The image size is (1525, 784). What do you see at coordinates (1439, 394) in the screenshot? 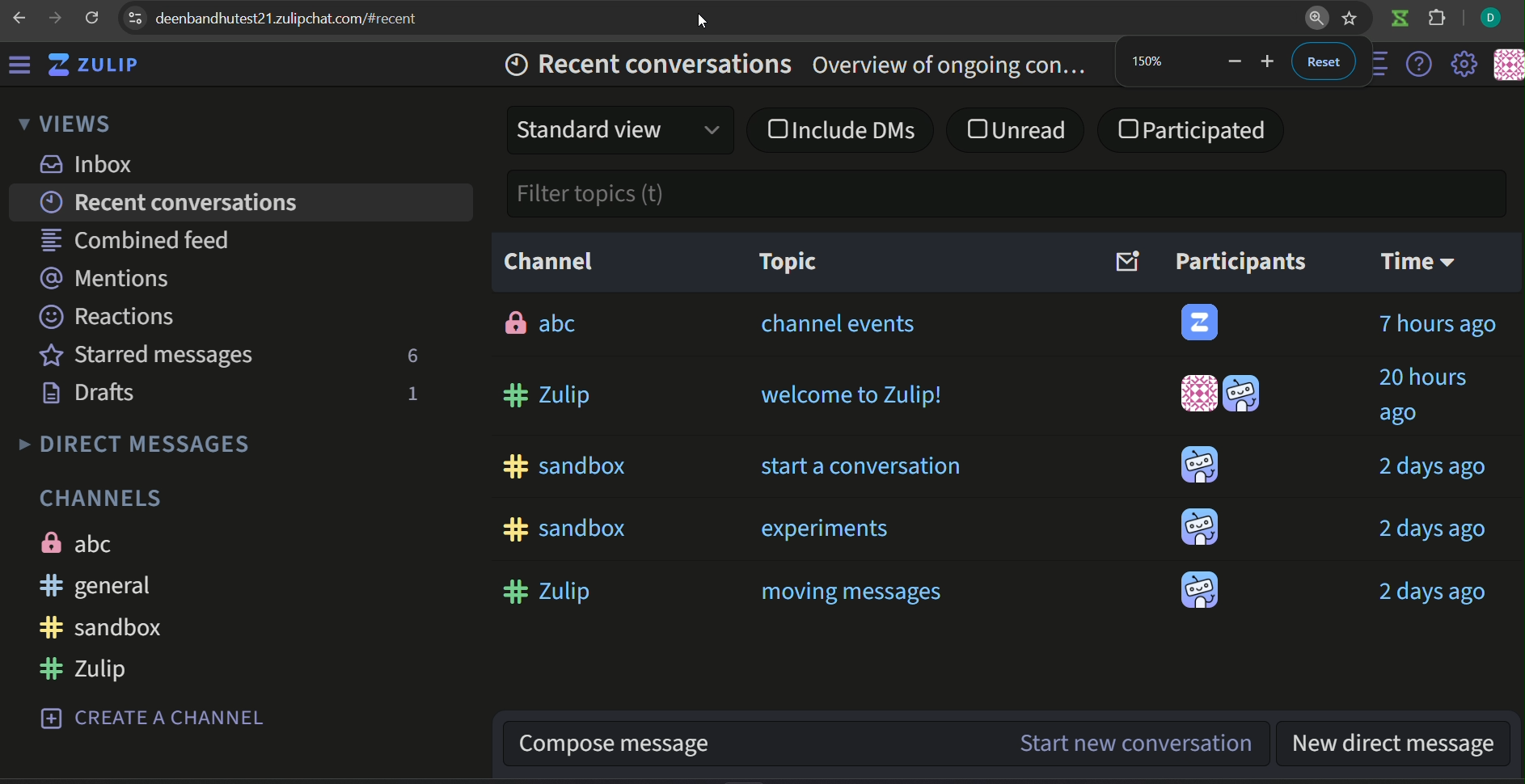
I see `20 hours ago` at bounding box center [1439, 394].